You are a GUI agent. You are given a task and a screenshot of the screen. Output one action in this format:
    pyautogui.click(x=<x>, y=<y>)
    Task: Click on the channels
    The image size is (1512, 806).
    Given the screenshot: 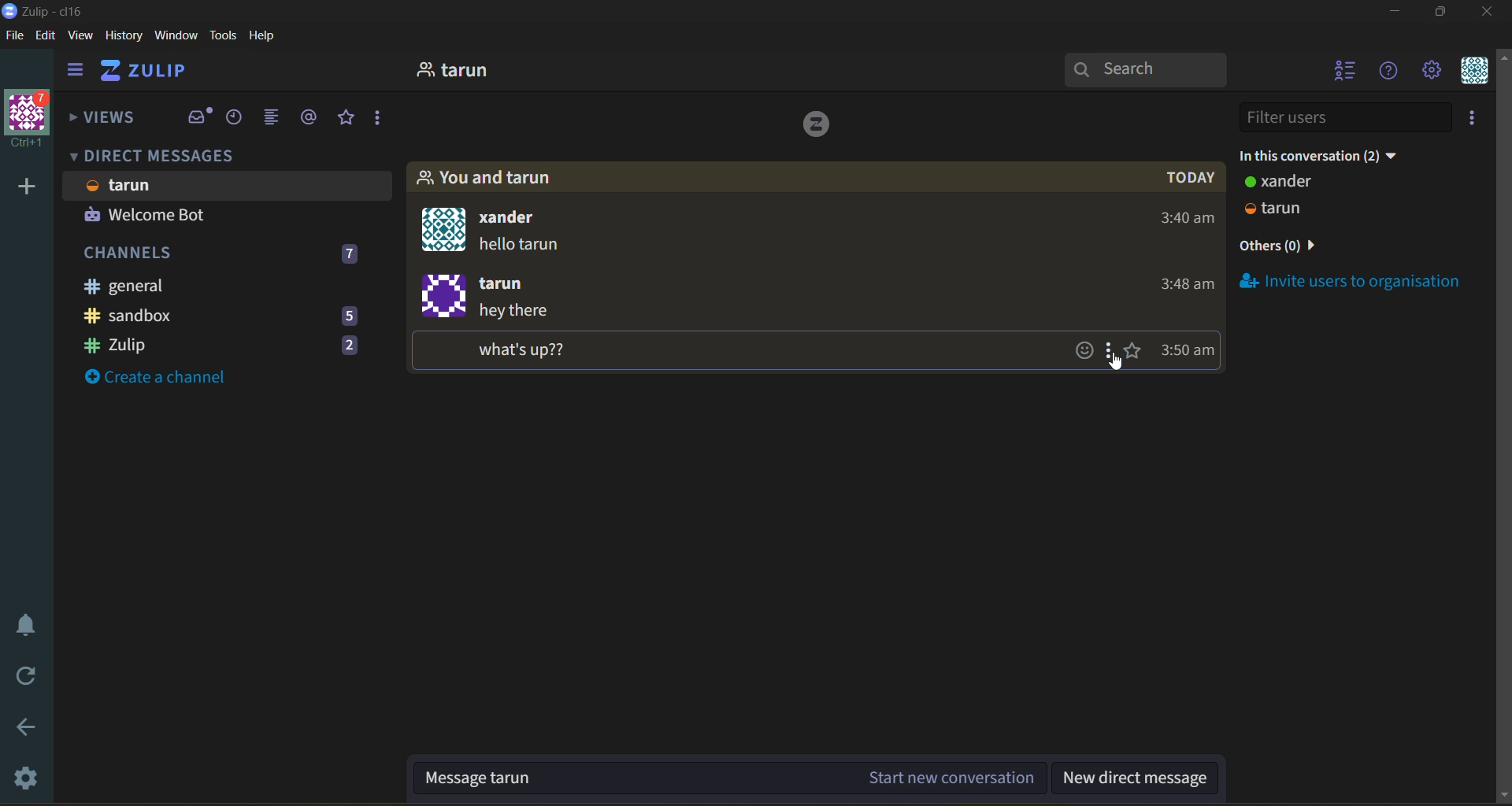 What is the action you would take?
    pyautogui.click(x=227, y=257)
    